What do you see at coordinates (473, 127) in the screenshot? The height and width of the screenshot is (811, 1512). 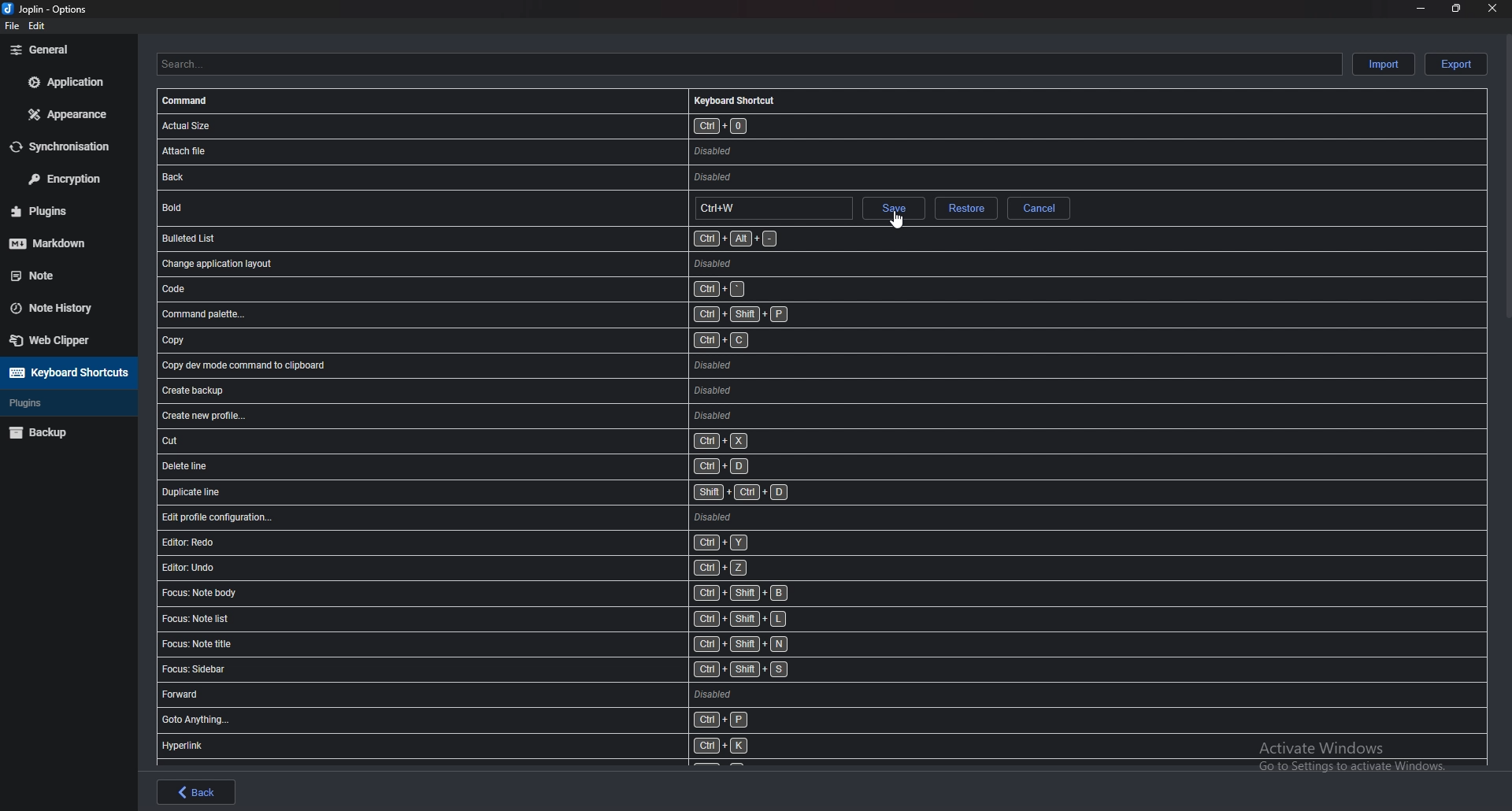 I see `shortcut` at bounding box center [473, 127].